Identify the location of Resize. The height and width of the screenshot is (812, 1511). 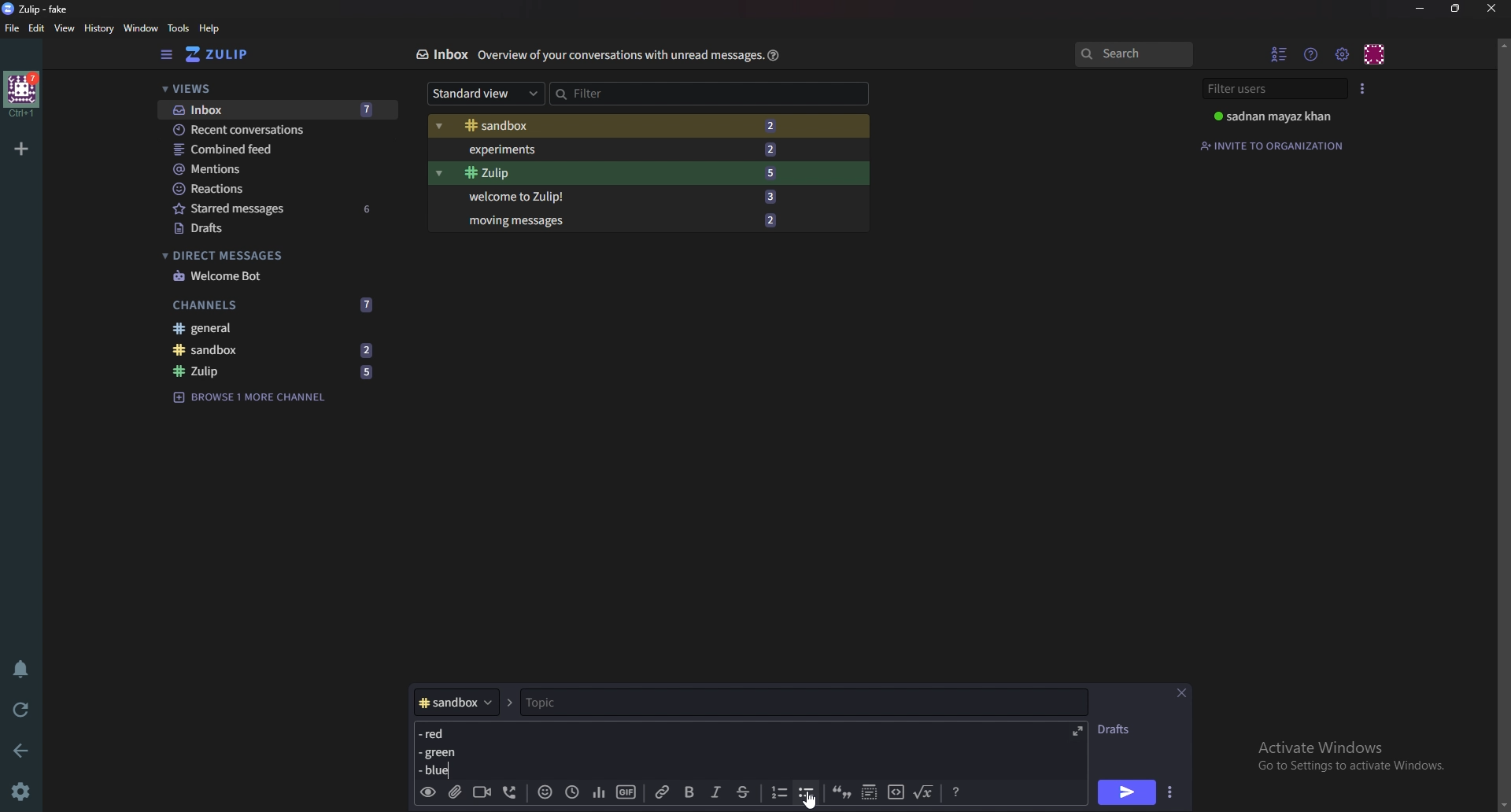
(1458, 8).